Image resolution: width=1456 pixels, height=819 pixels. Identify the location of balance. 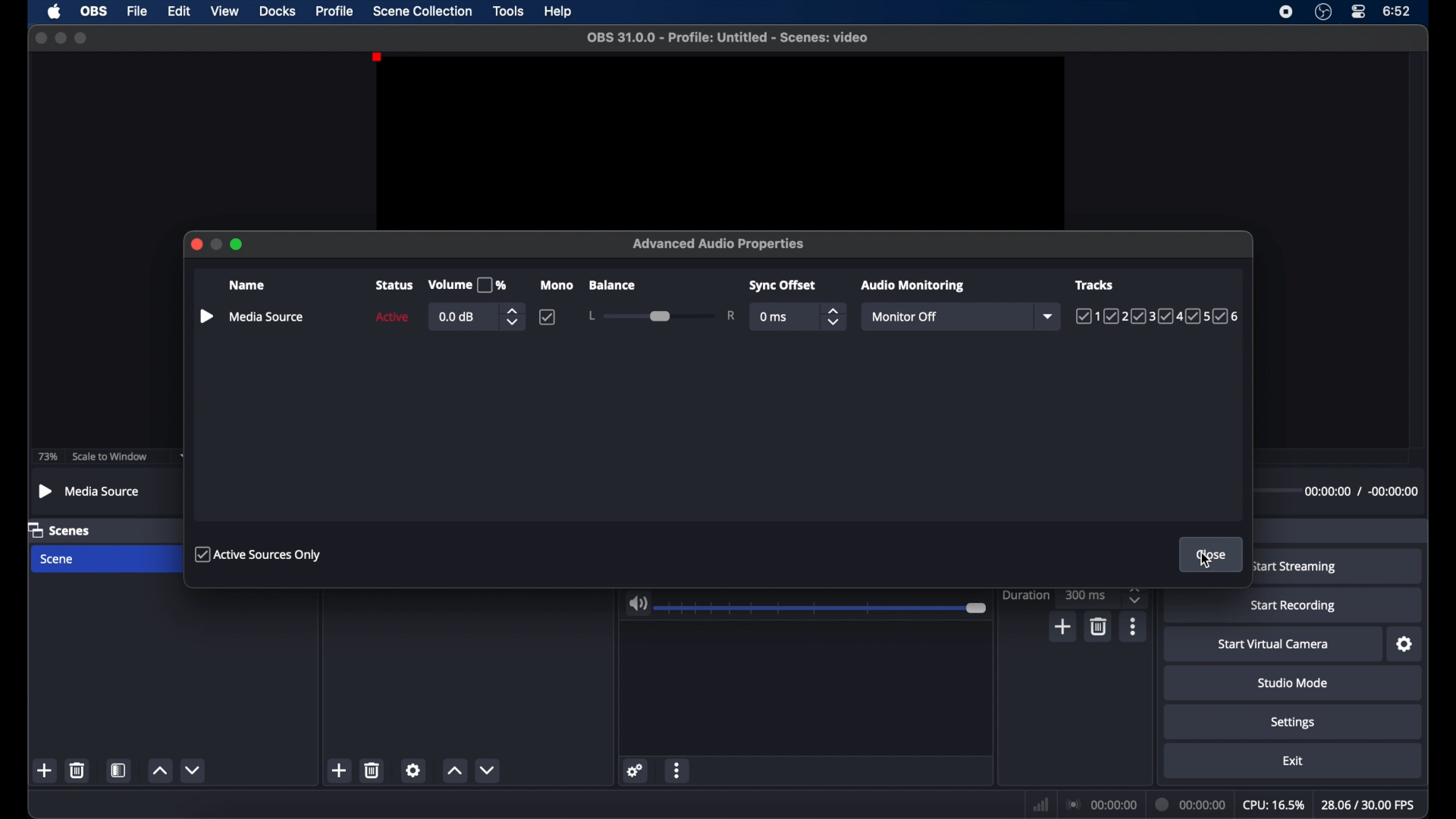
(613, 285).